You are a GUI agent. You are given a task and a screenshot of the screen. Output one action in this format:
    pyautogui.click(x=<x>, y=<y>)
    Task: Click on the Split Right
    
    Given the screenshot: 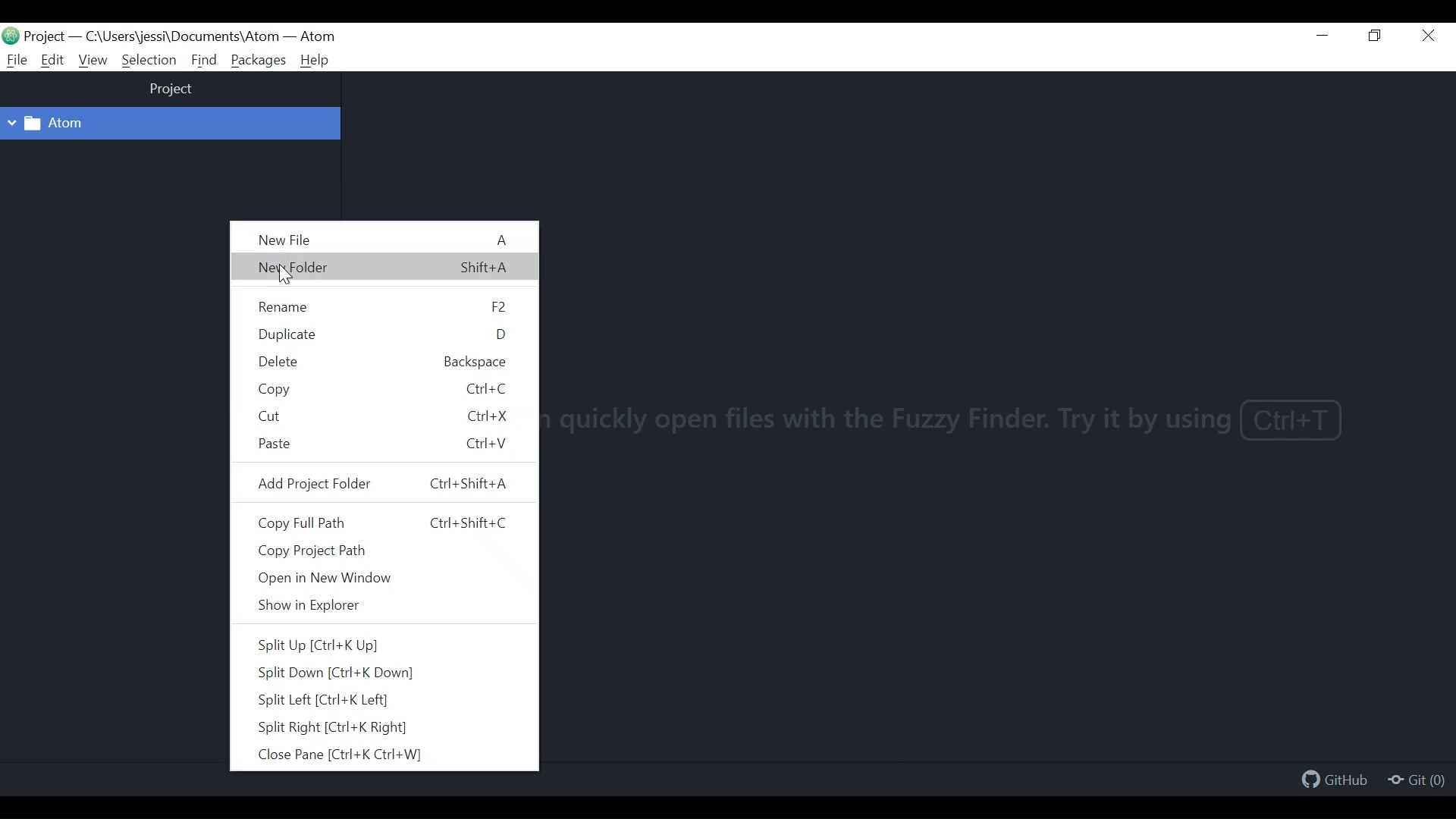 What is the action you would take?
    pyautogui.click(x=331, y=727)
    